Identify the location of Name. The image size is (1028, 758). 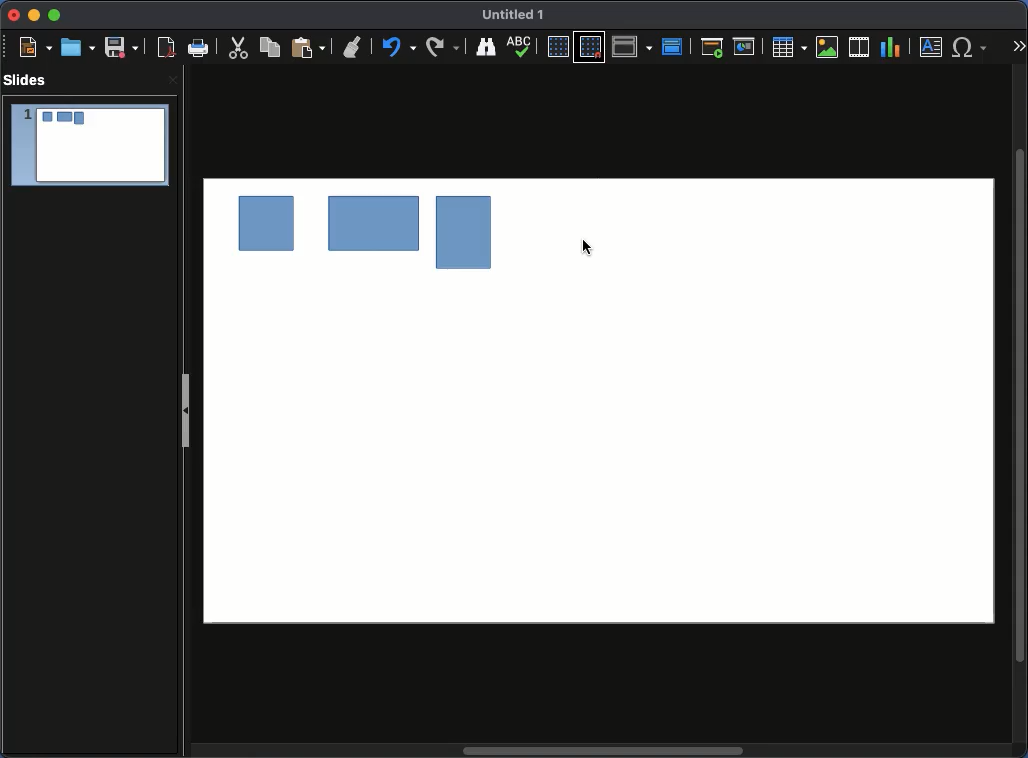
(515, 13).